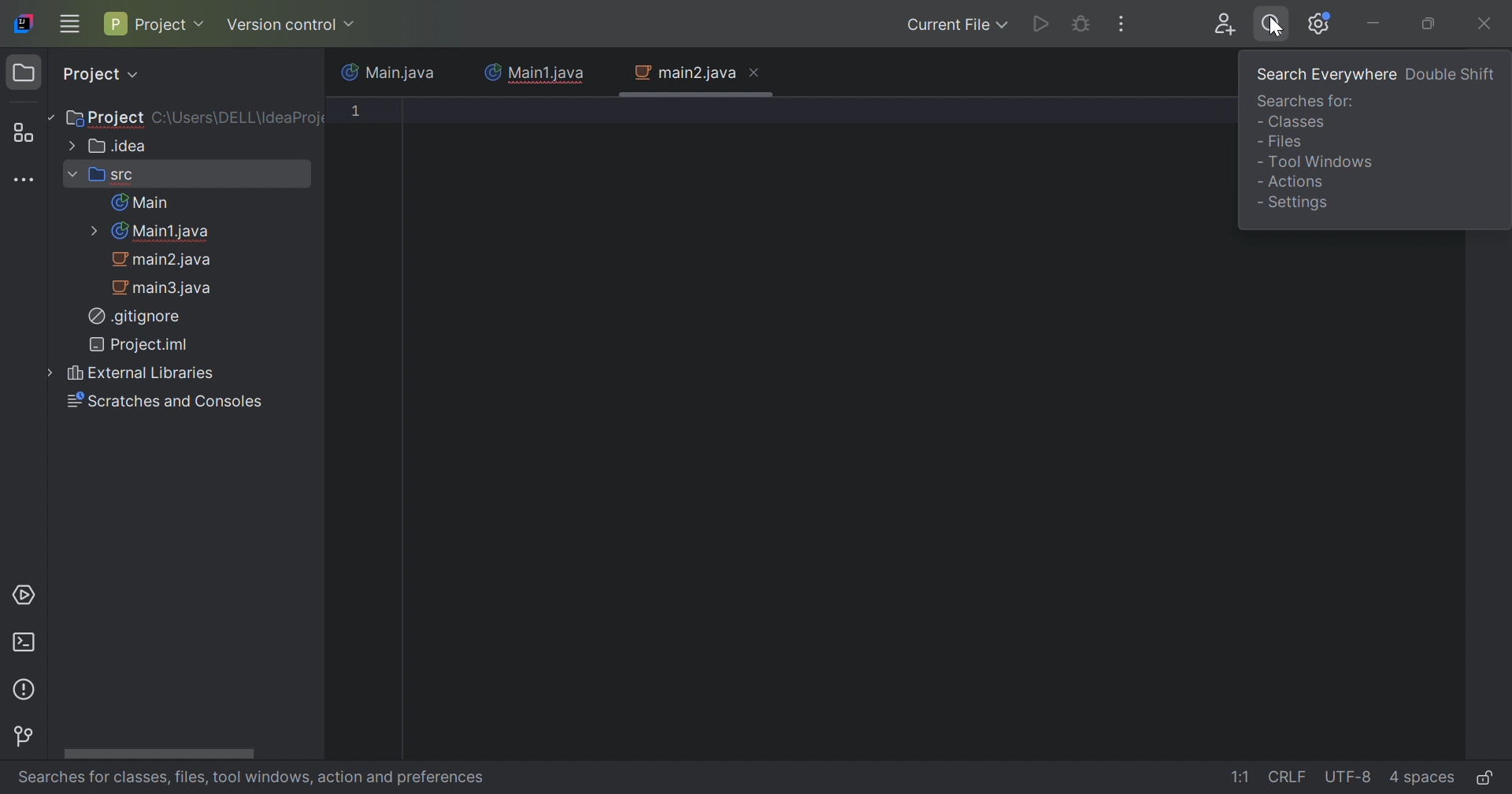 The image size is (1512, 794). Describe the element at coordinates (127, 373) in the screenshot. I see `External Libraries` at that location.